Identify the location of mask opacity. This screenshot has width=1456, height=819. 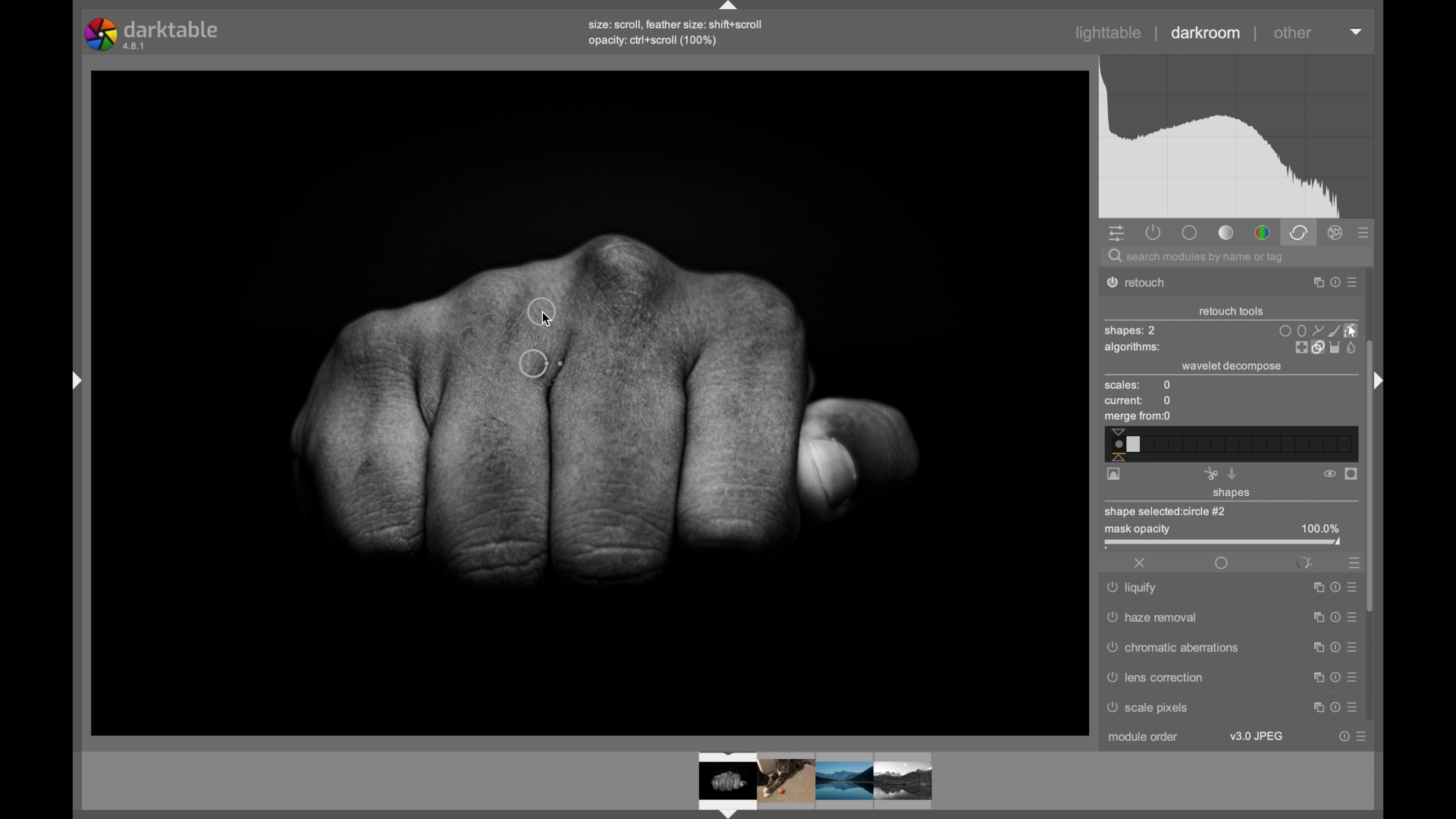
(1135, 531).